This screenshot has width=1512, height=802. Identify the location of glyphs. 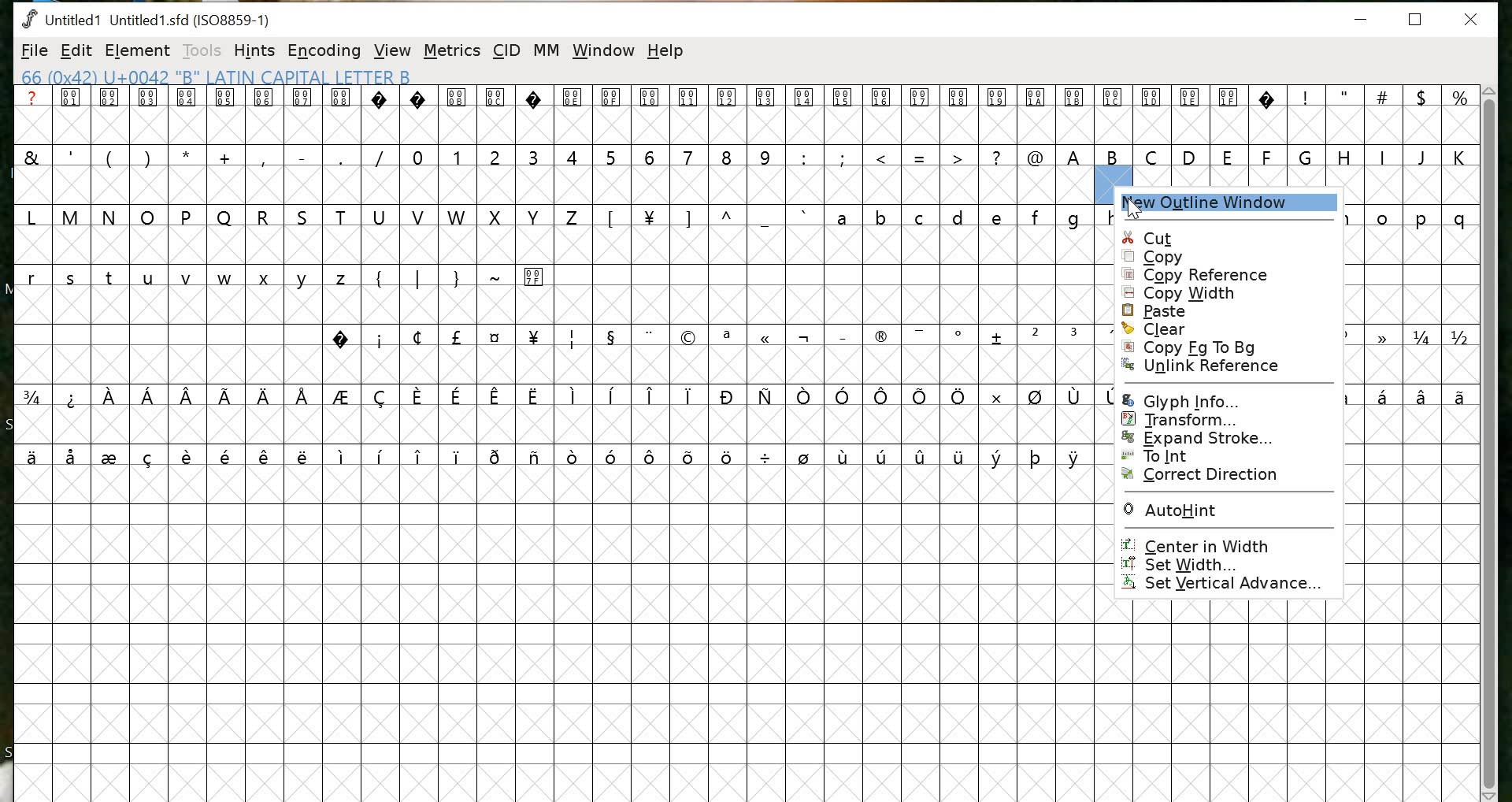
(558, 284).